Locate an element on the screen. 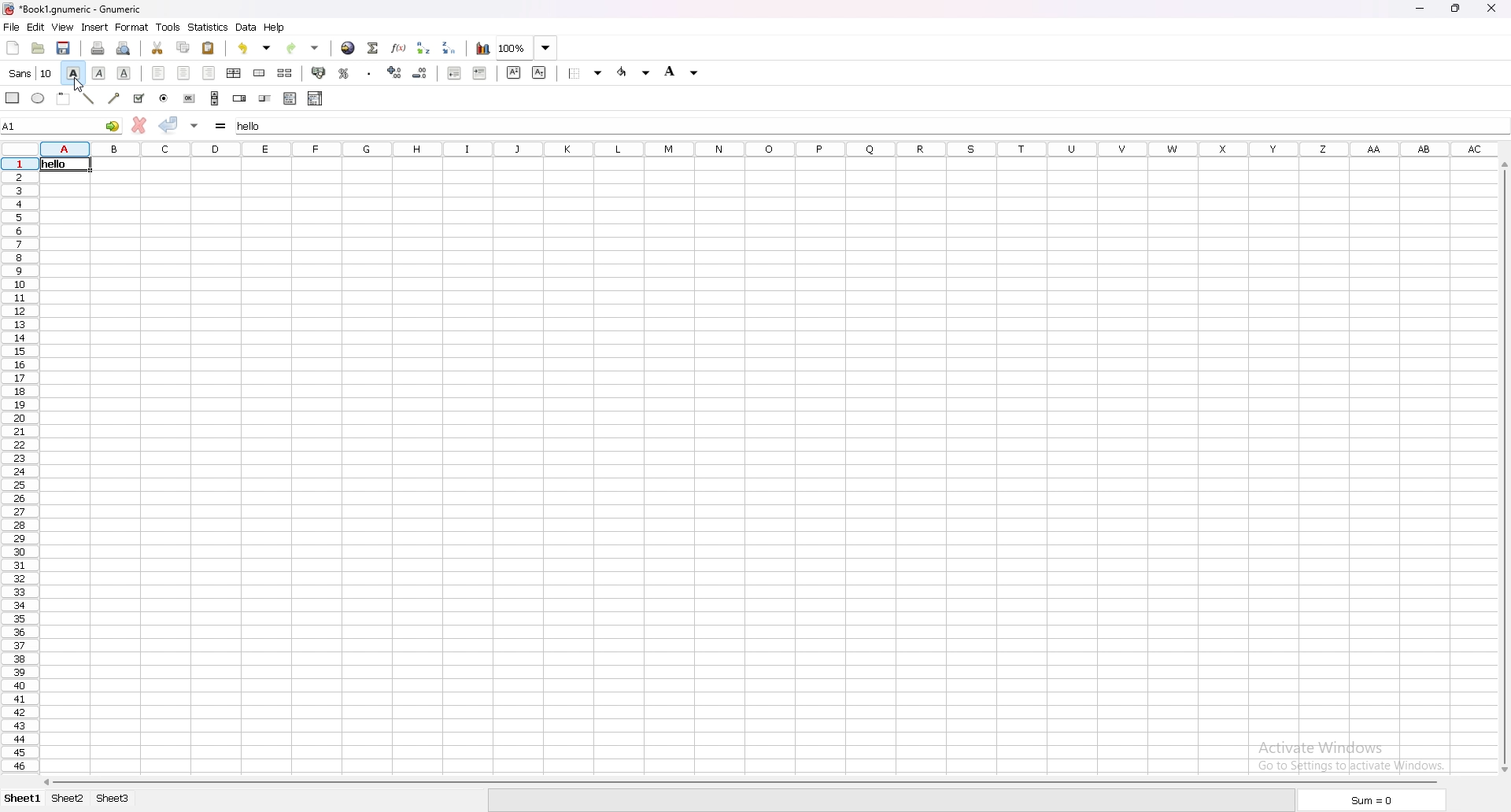 This screenshot has height=812, width=1511. ellipse is located at coordinates (38, 98).